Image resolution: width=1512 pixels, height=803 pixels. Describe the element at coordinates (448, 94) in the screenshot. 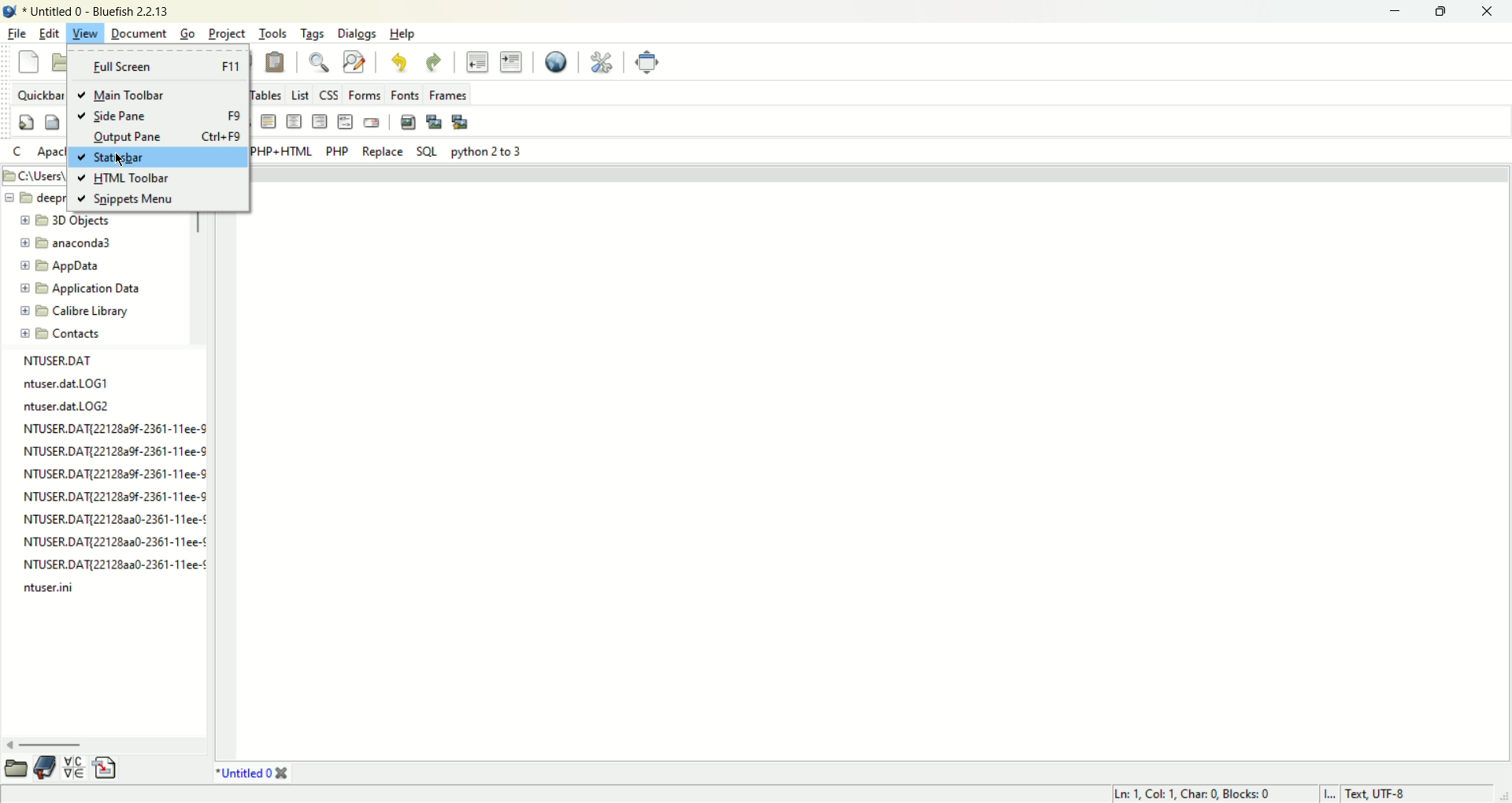

I see `frames` at that location.